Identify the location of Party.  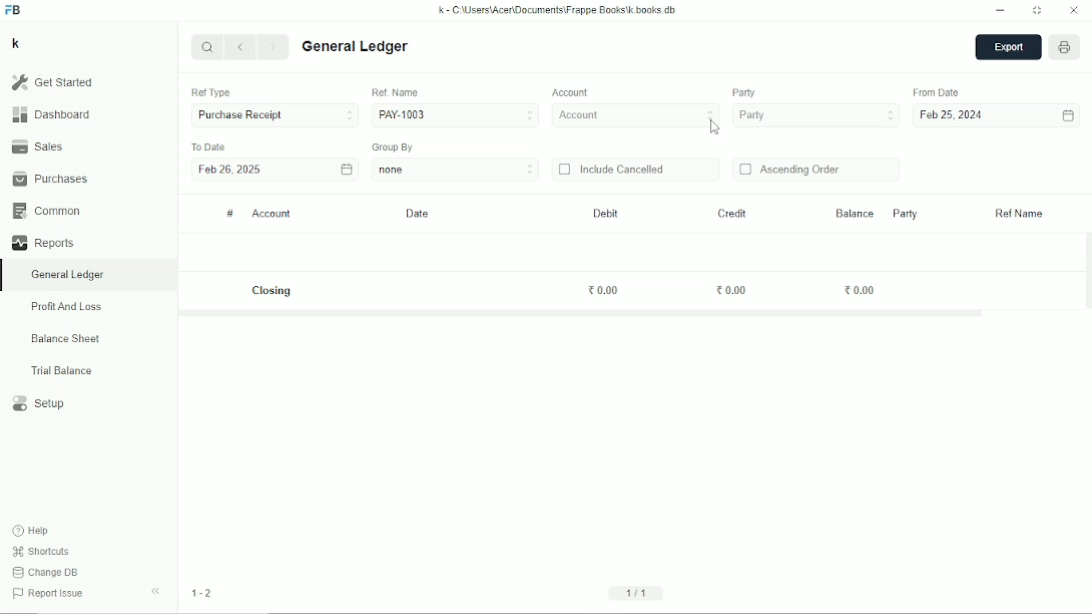
(904, 213).